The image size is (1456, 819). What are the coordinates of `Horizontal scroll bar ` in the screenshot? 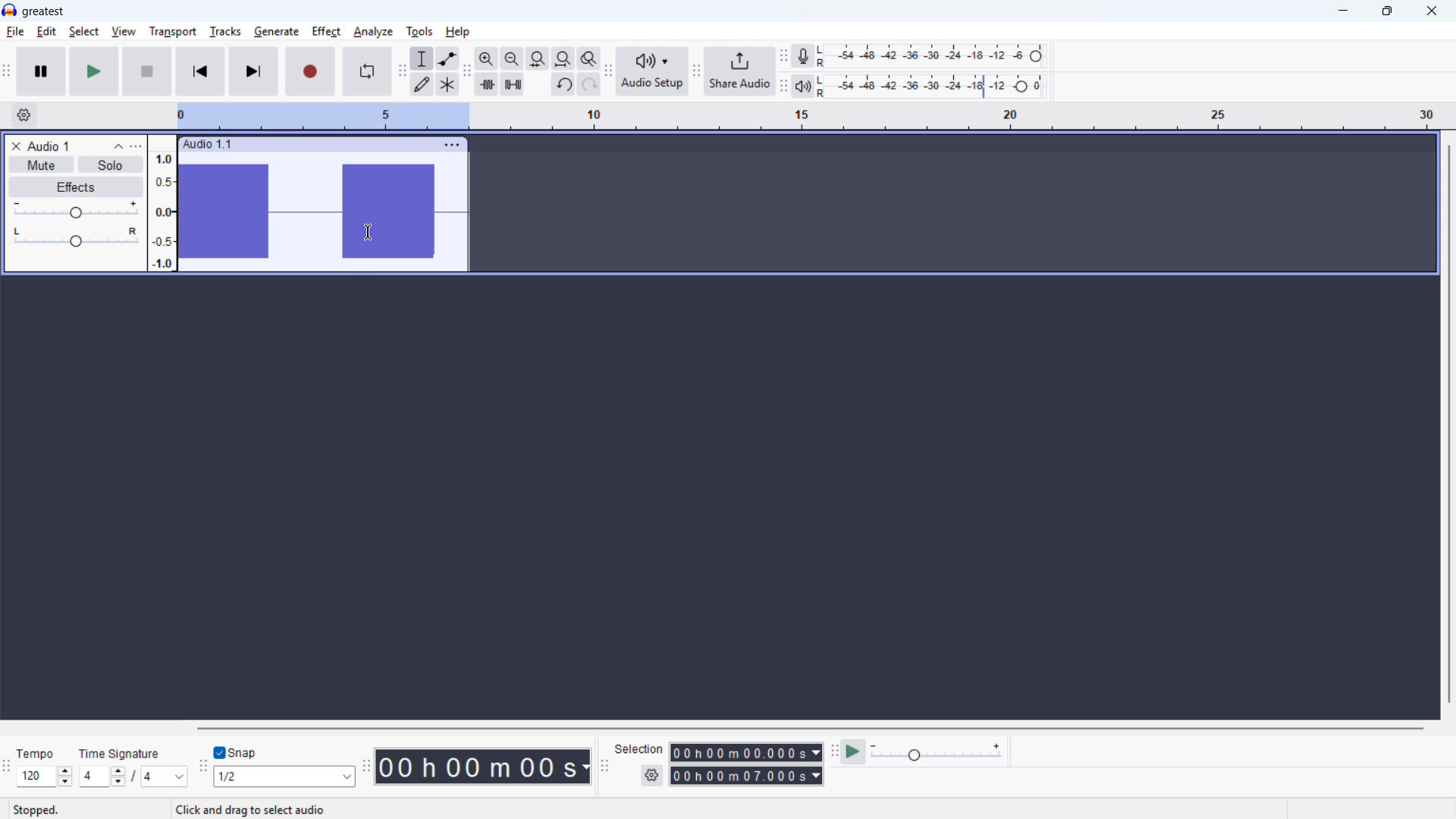 It's located at (809, 729).